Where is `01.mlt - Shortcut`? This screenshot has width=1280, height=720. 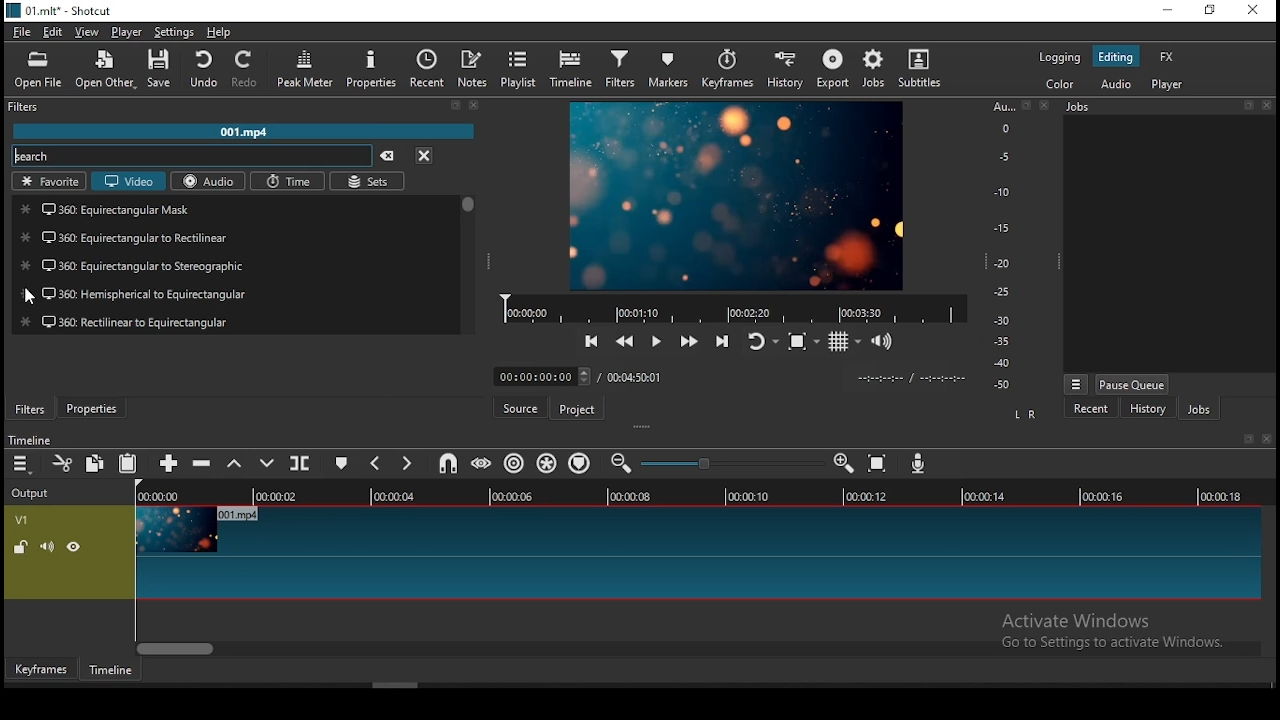 01.mlt - Shortcut is located at coordinates (60, 10).